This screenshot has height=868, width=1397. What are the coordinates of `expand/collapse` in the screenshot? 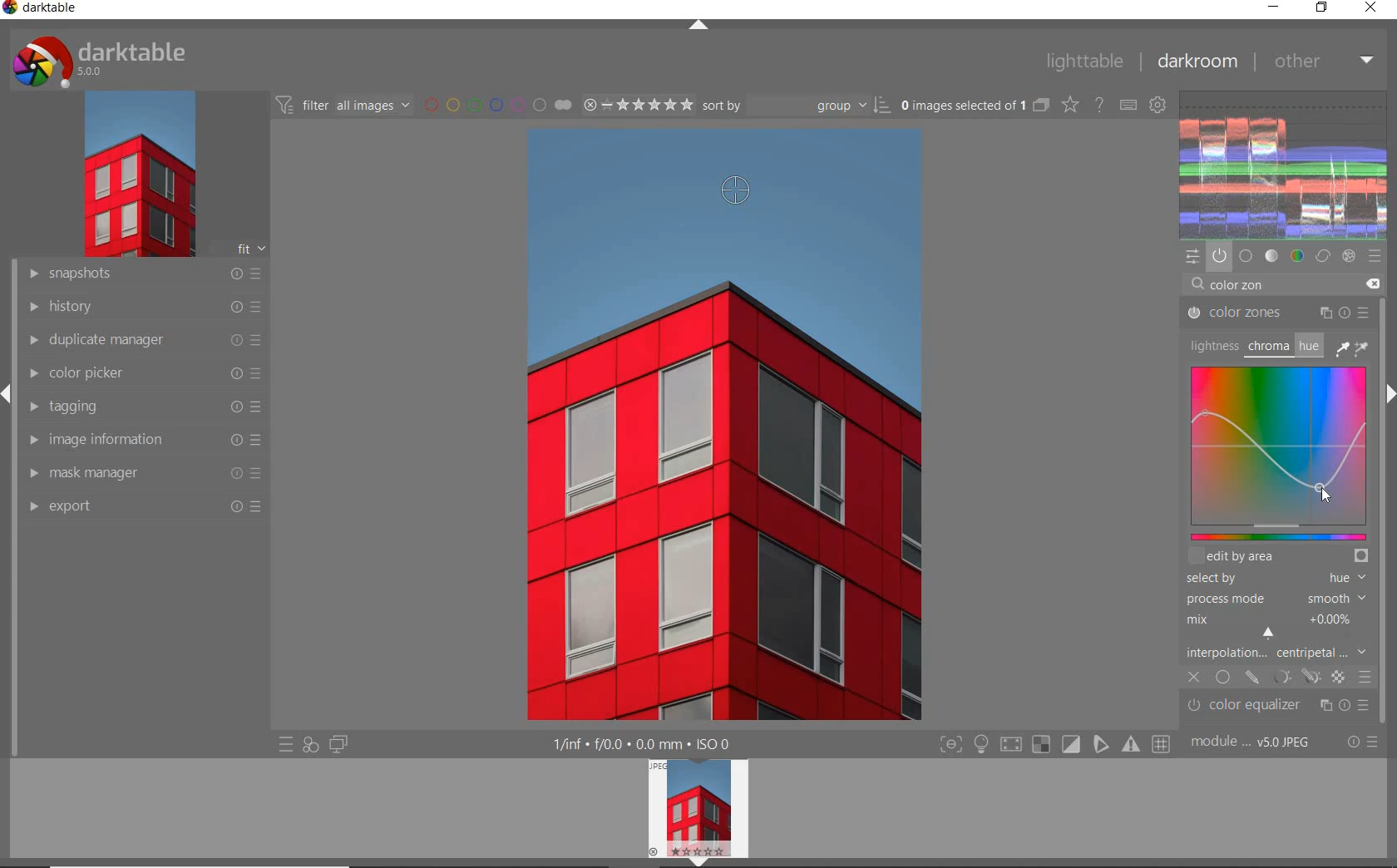 It's located at (8, 392).